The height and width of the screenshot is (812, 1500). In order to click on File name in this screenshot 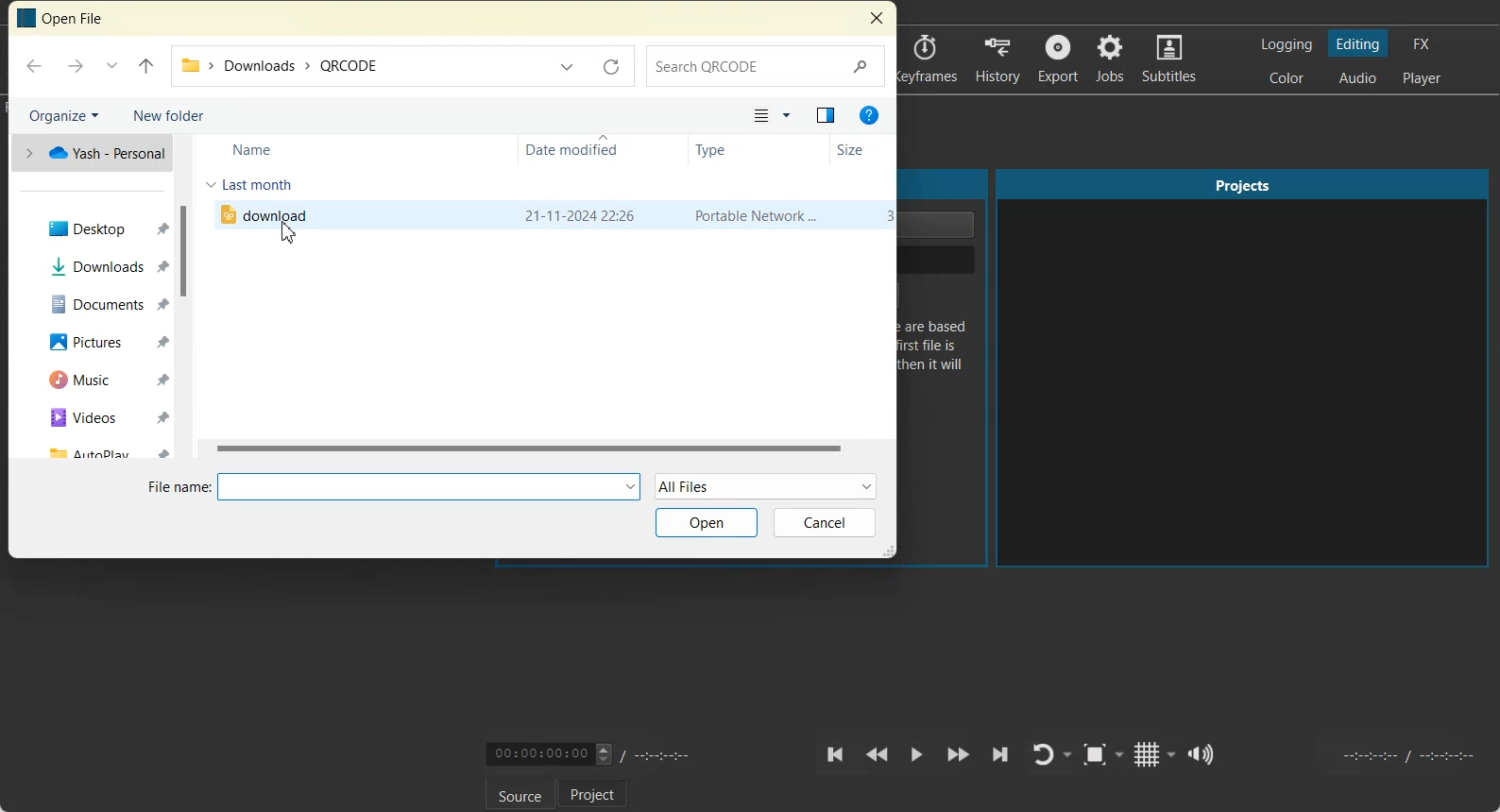, I will do `click(394, 485)`.